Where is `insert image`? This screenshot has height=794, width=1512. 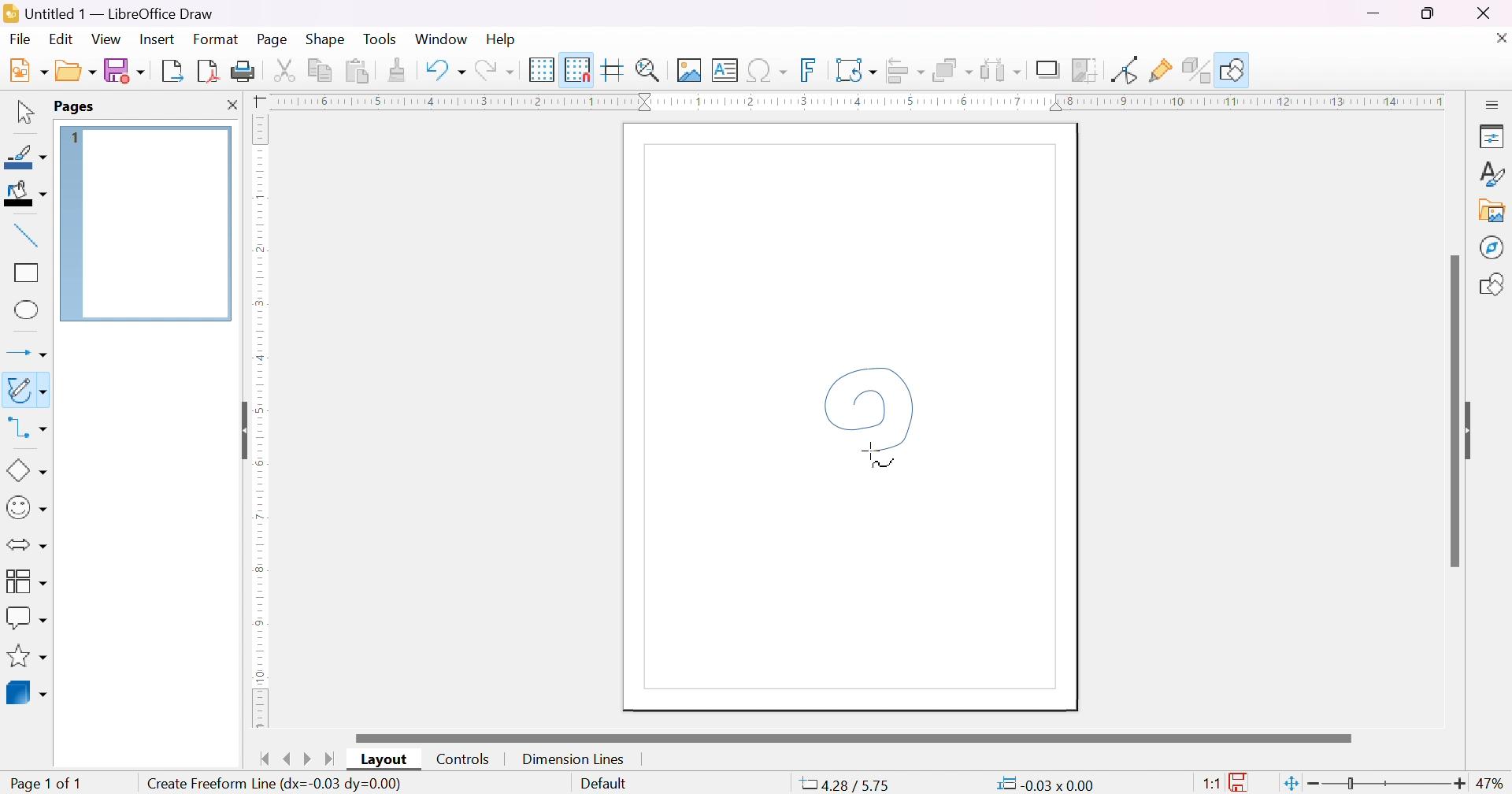
insert image is located at coordinates (689, 70).